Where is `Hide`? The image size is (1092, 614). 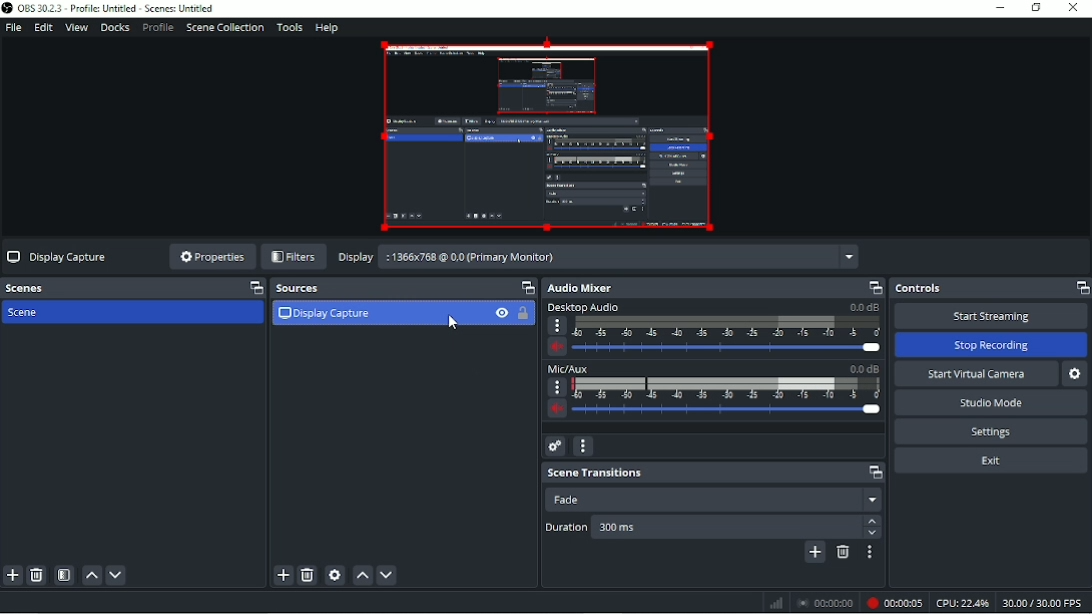
Hide is located at coordinates (502, 313).